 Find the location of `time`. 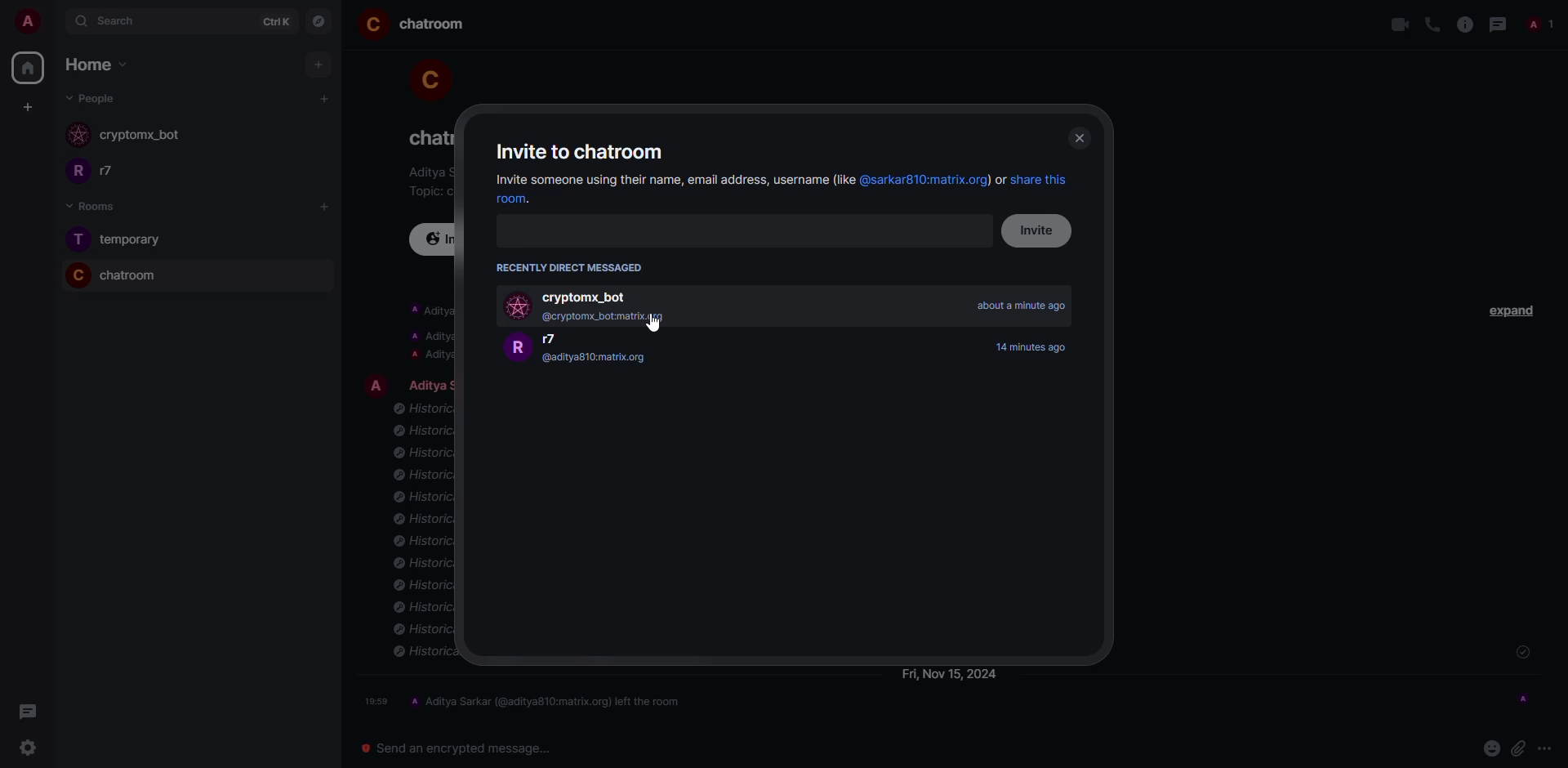

time is located at coordinates (377, 701).